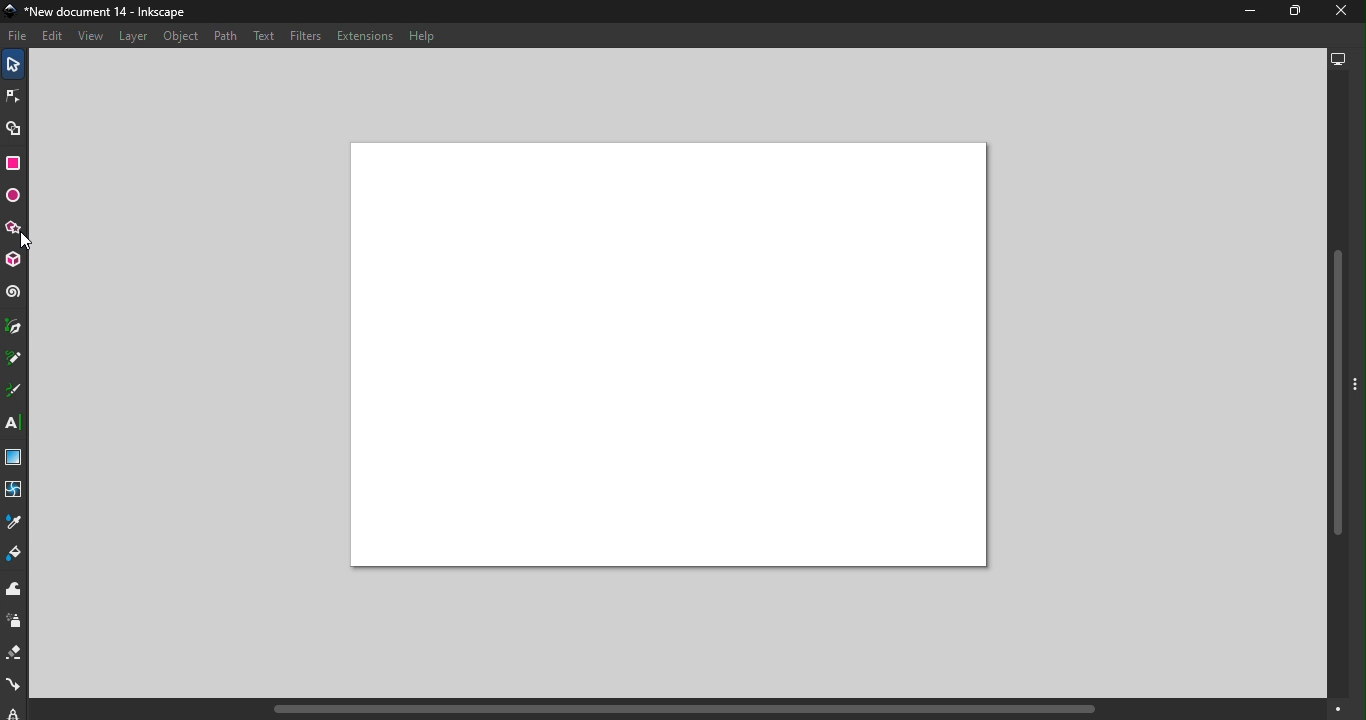  What do you see at coordinates (305, 37) in the screenshot?
I see `Filters` at bounding box center [305, 37].